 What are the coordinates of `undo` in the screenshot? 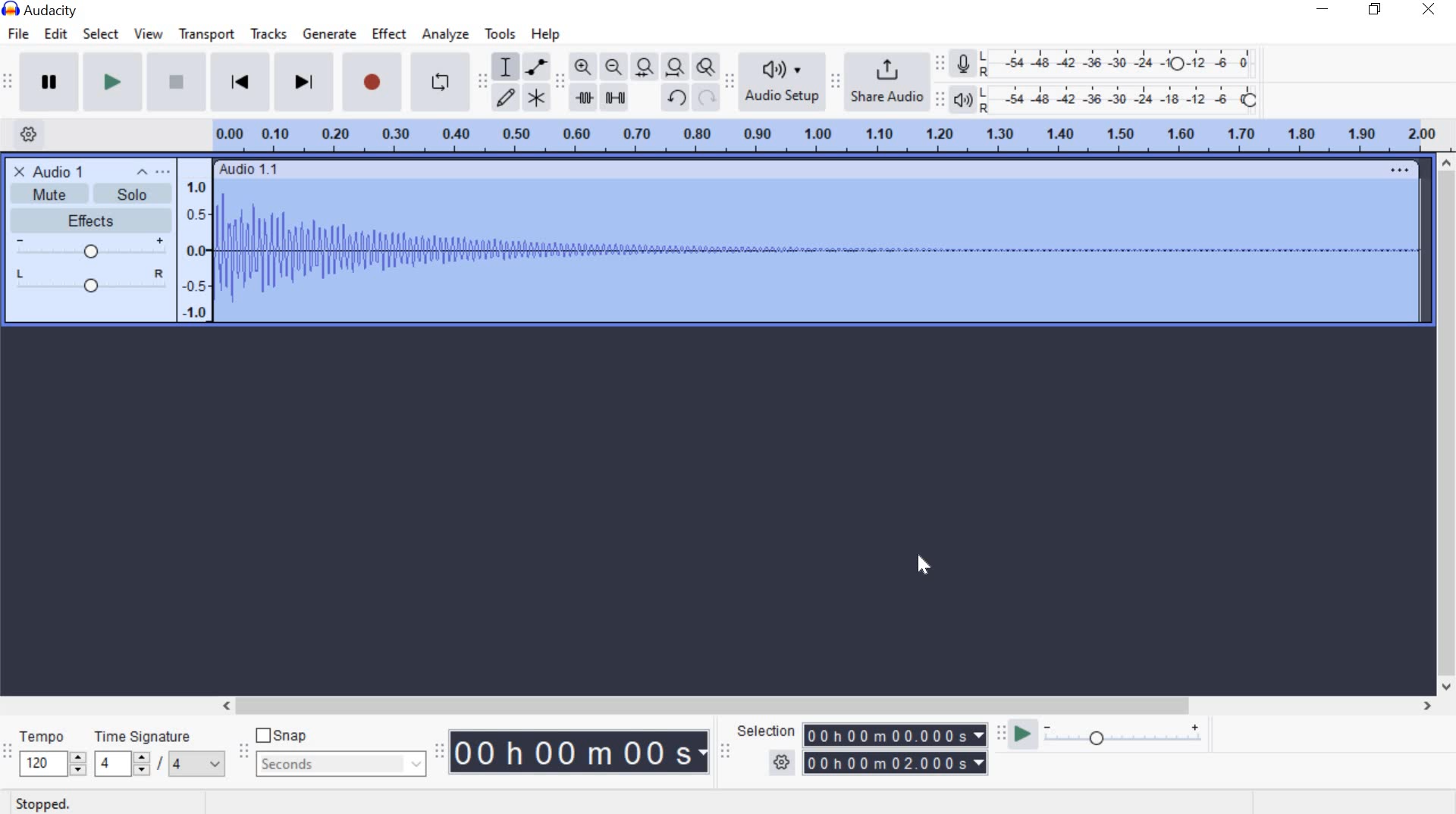 It's located at (675, 99).